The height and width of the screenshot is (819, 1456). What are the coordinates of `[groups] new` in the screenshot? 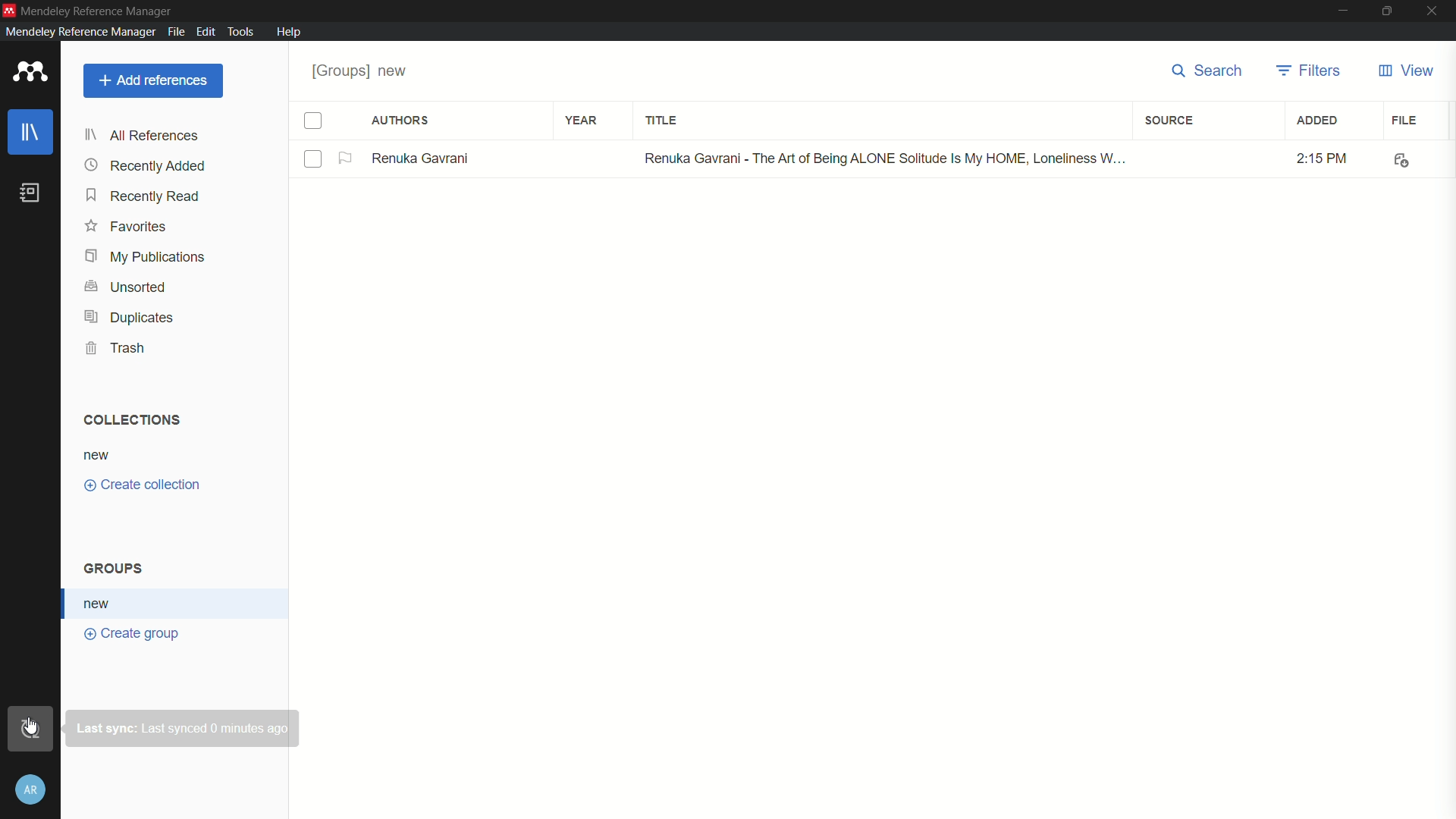 It's located at (364, 71).